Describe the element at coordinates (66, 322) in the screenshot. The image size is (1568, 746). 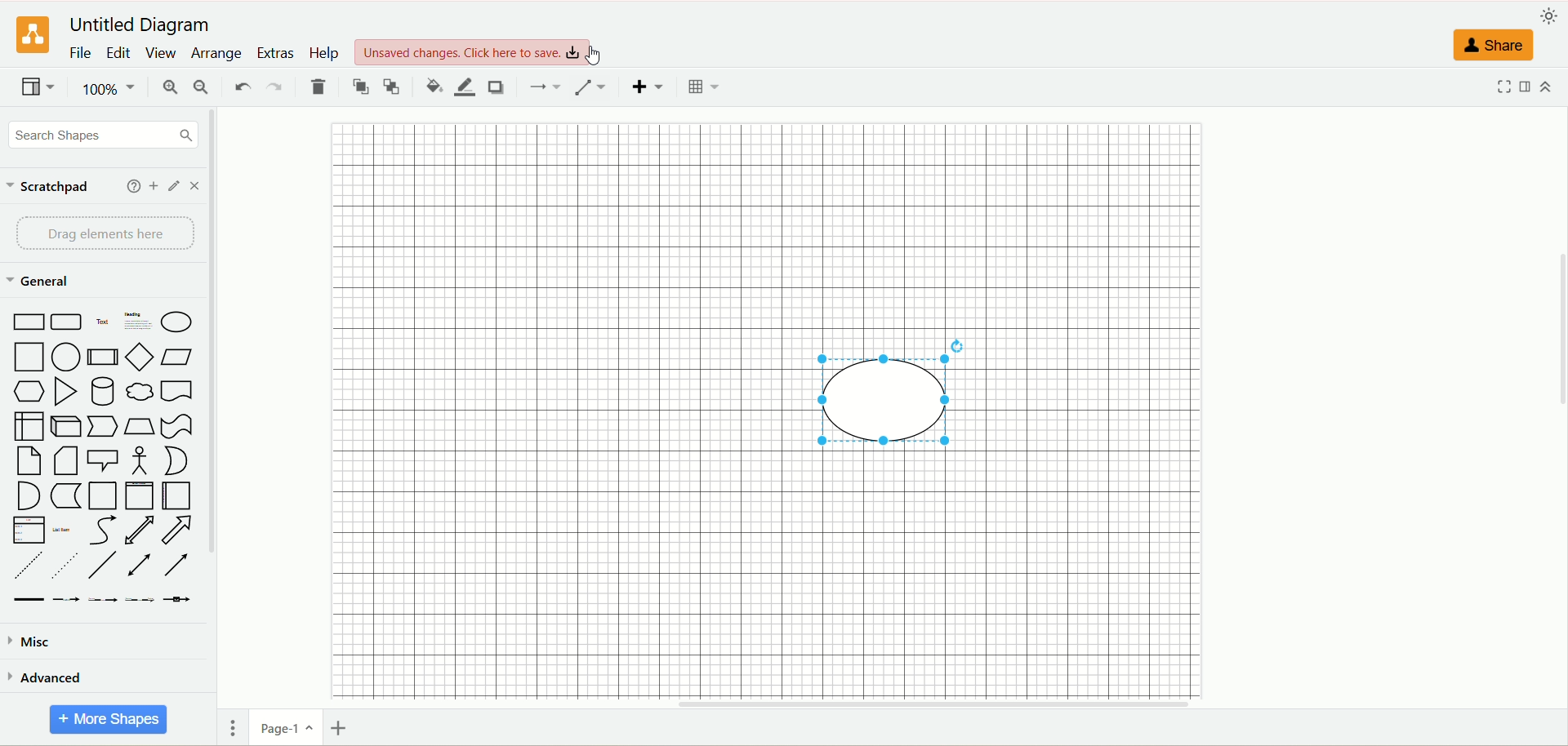
I see `rounded rectangle` at that location.